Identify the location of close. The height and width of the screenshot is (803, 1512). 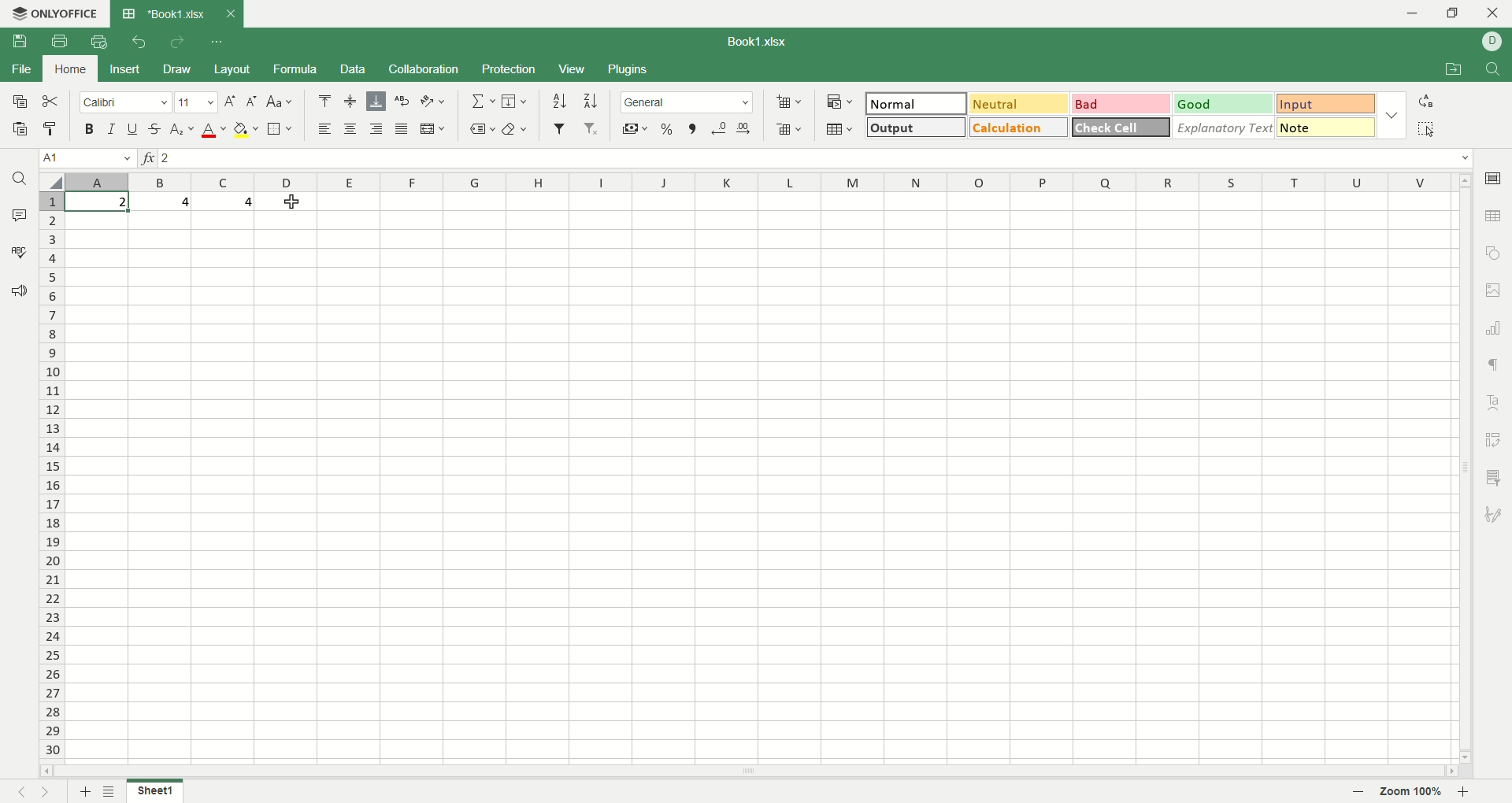
(1491, 13).